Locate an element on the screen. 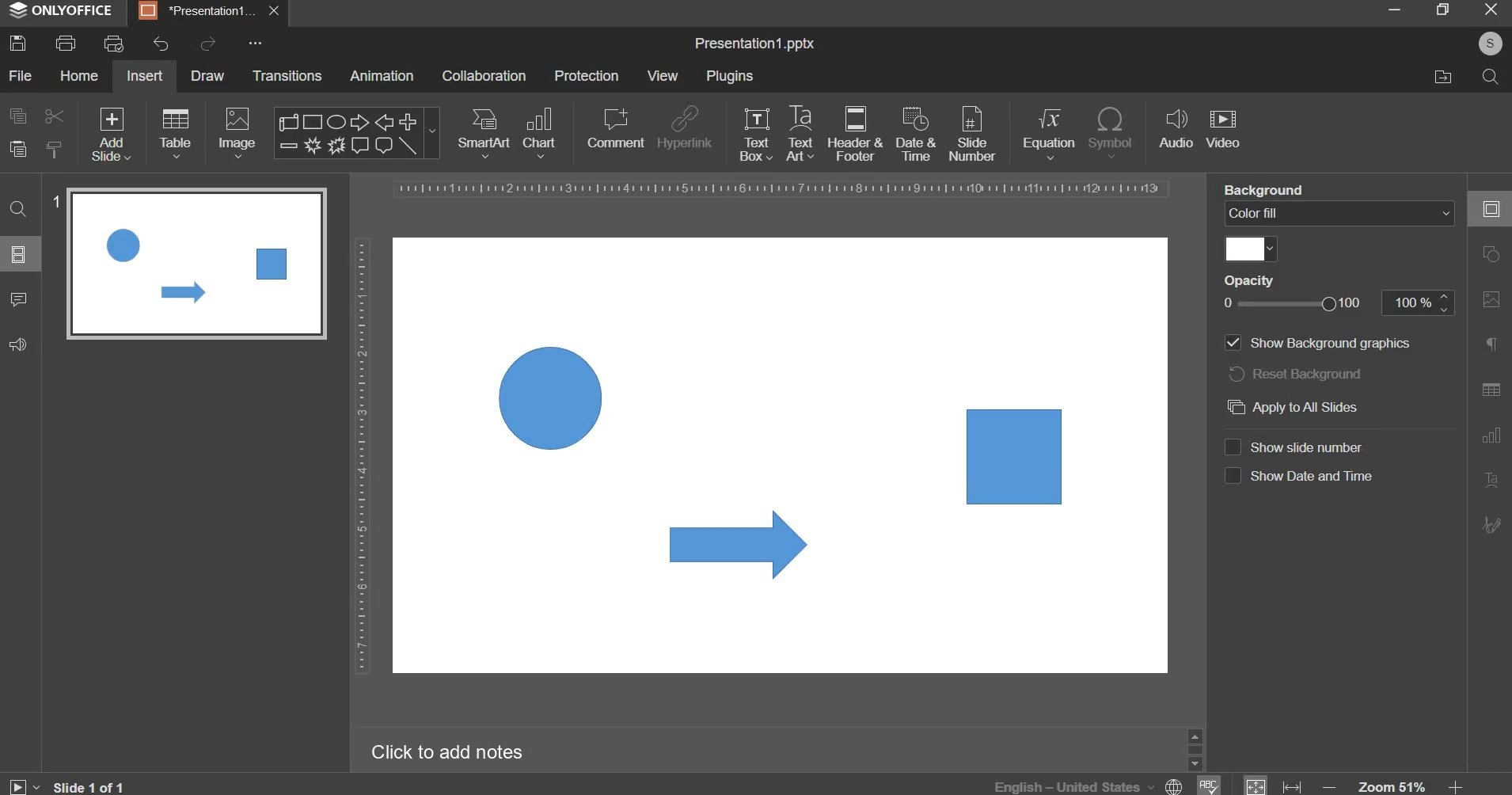 Image resolution: width=1512 pixels, height=795 pixels. exit is located at coordinates (1491, 8).